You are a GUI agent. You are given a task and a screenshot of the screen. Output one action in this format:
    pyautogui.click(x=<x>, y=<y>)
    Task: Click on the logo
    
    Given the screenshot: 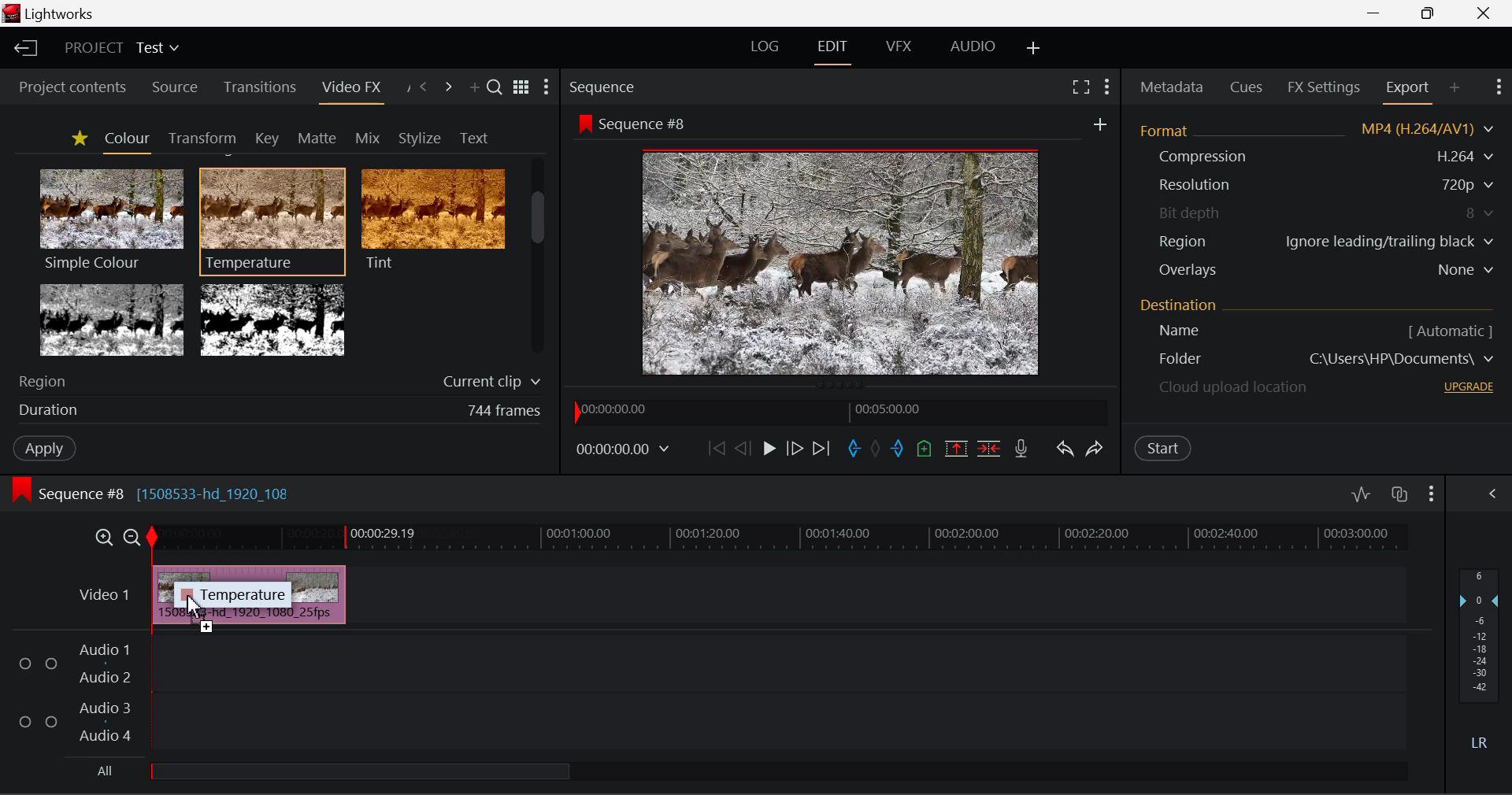 What is the action you would take?
    pyautogui.click(x=11, y=13)
    